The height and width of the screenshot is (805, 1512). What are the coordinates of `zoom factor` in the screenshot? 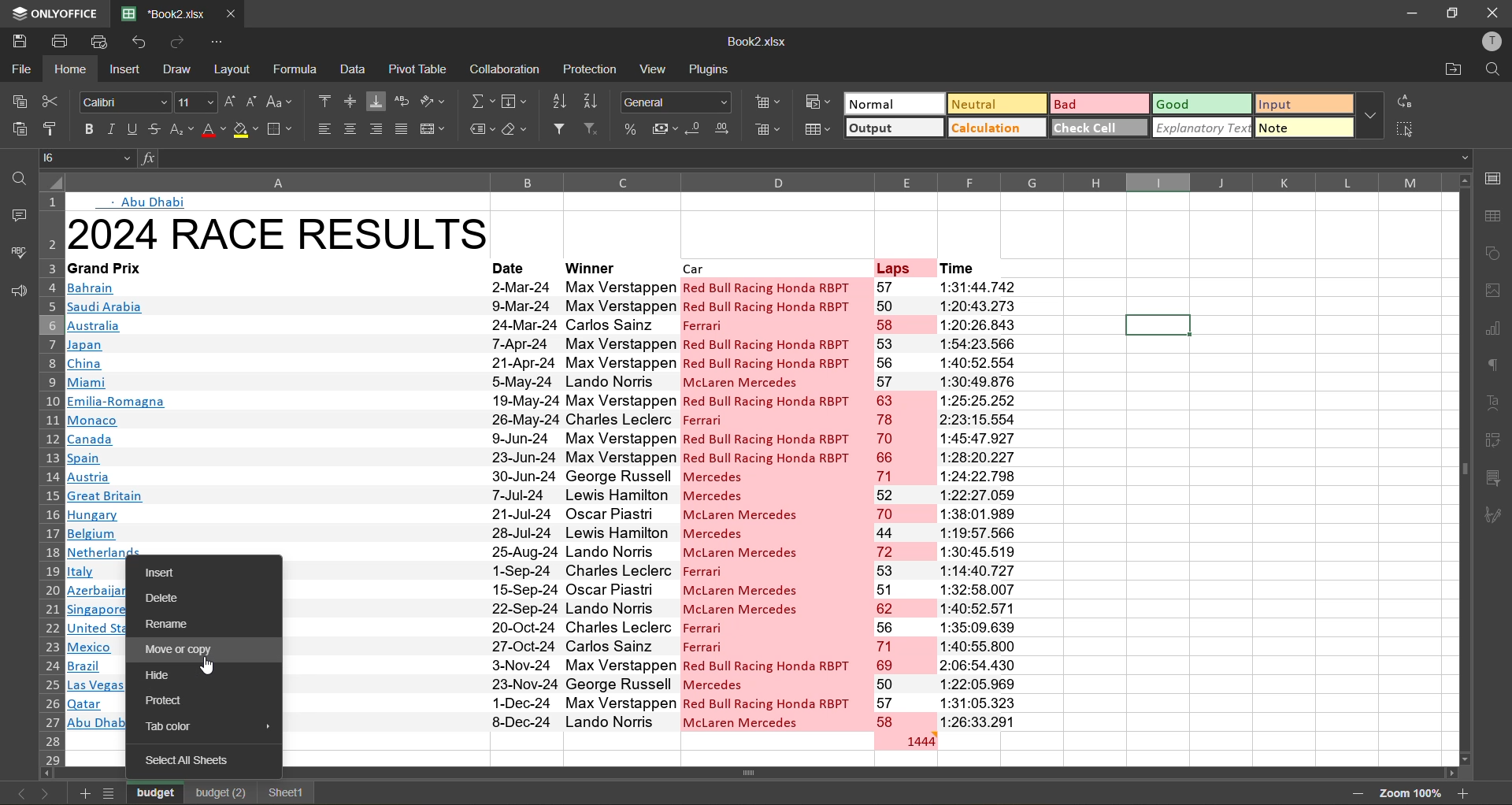 It's located at (1409, 792).